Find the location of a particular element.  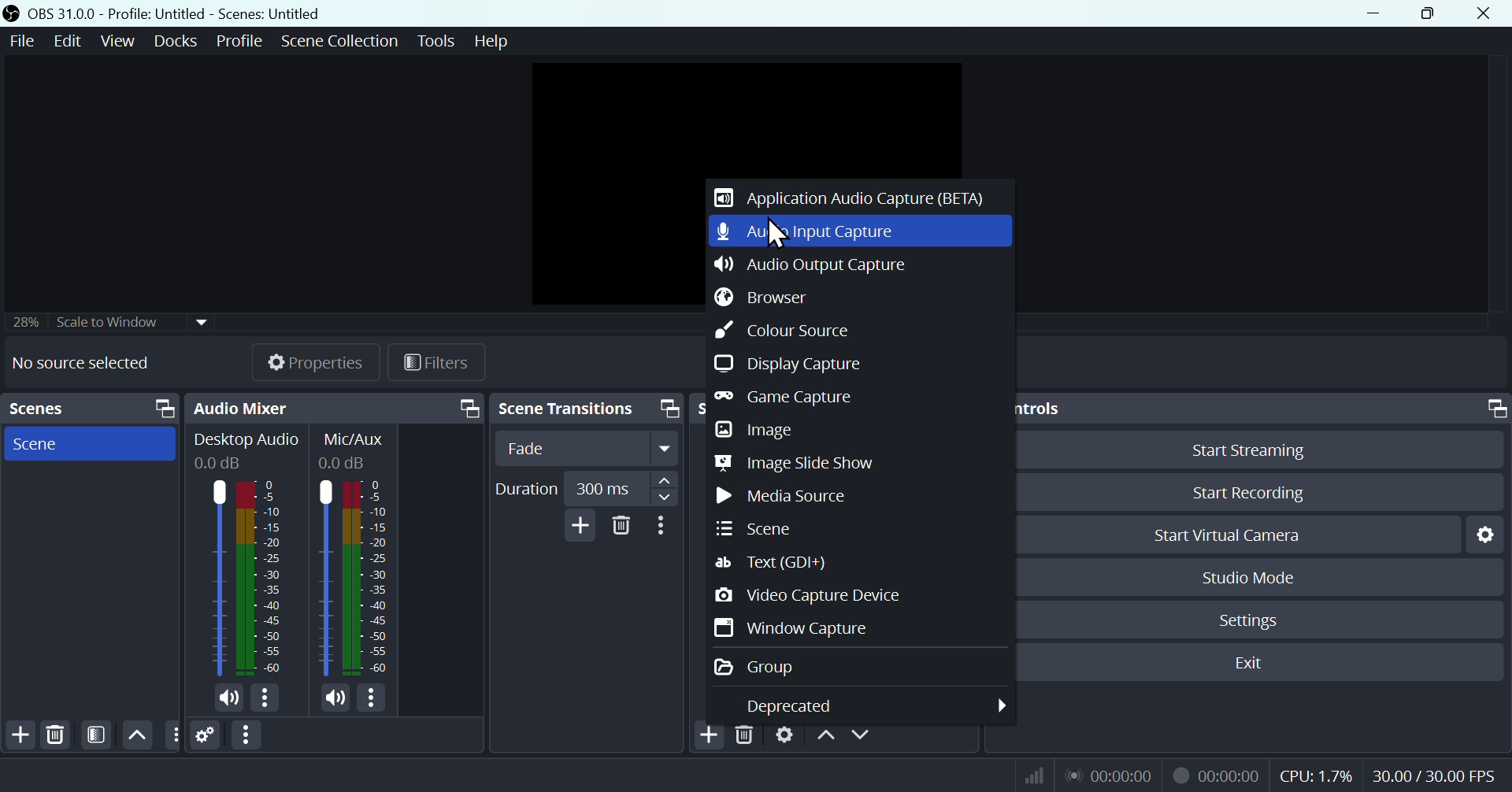

colour scheme is located at coordinates (821, 329).